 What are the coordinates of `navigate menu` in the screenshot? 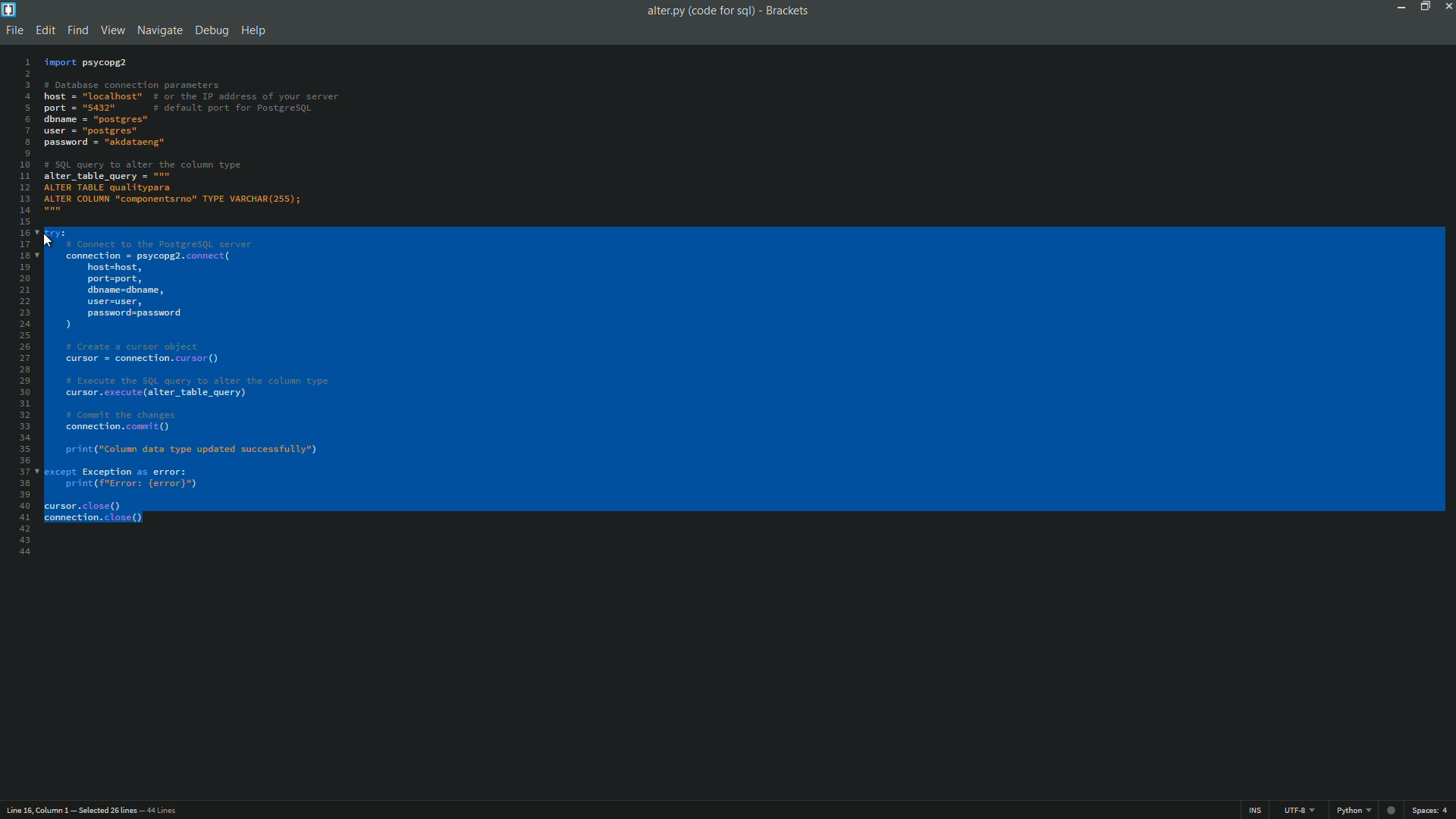 It's located at (158, 32).